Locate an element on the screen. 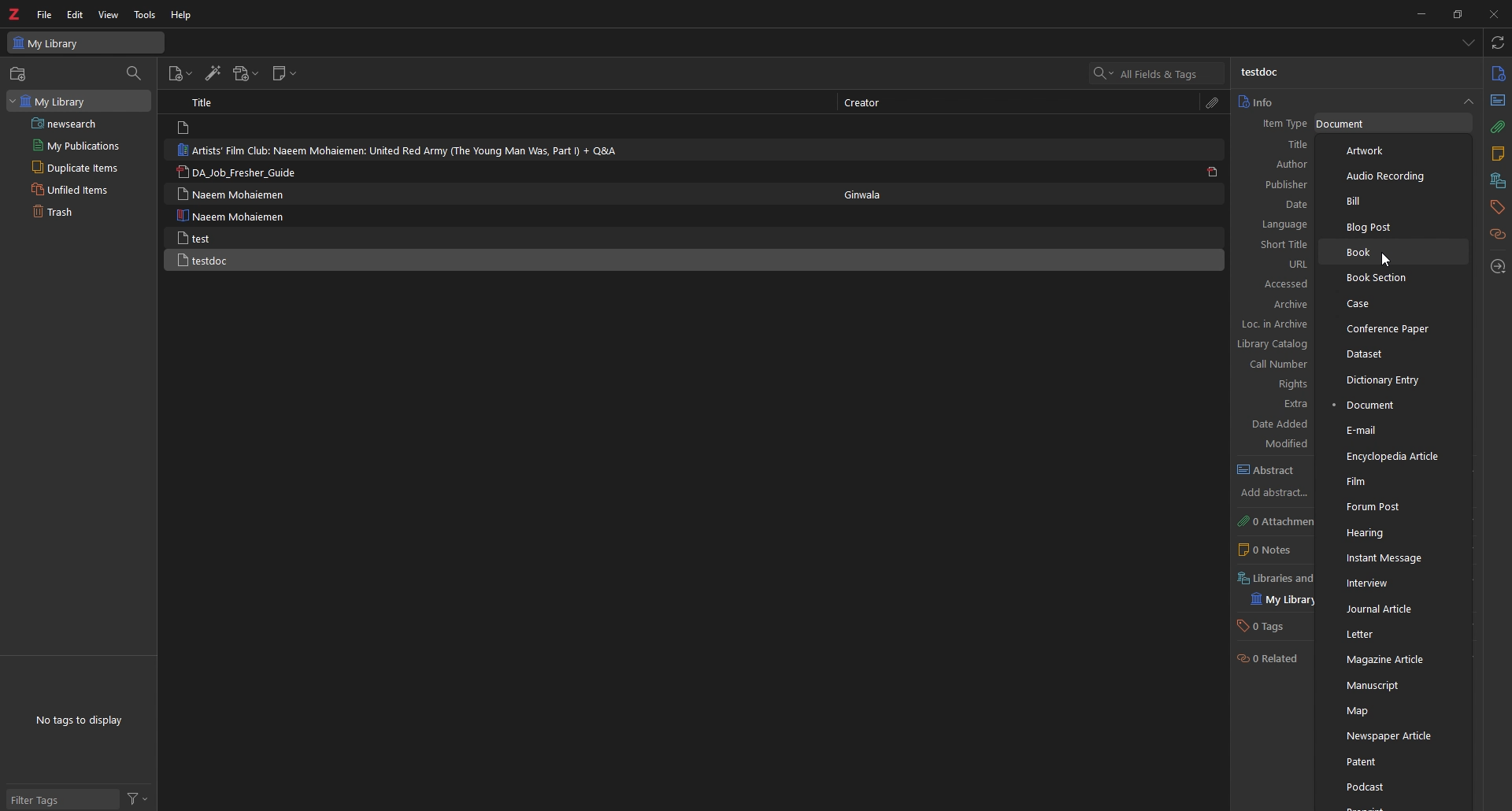  Naeem Mohaiemen is located at coordinates (237, 194).